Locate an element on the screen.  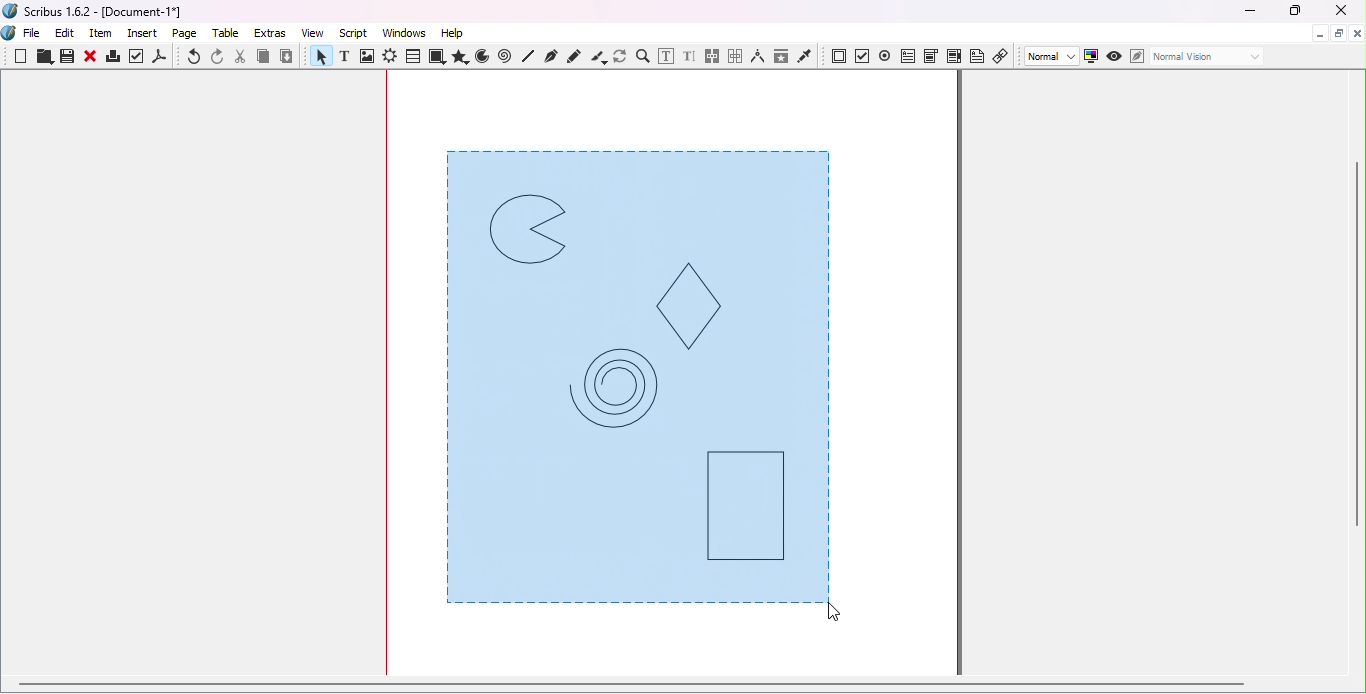
Preview mode is located at coordinates (1115, 57).